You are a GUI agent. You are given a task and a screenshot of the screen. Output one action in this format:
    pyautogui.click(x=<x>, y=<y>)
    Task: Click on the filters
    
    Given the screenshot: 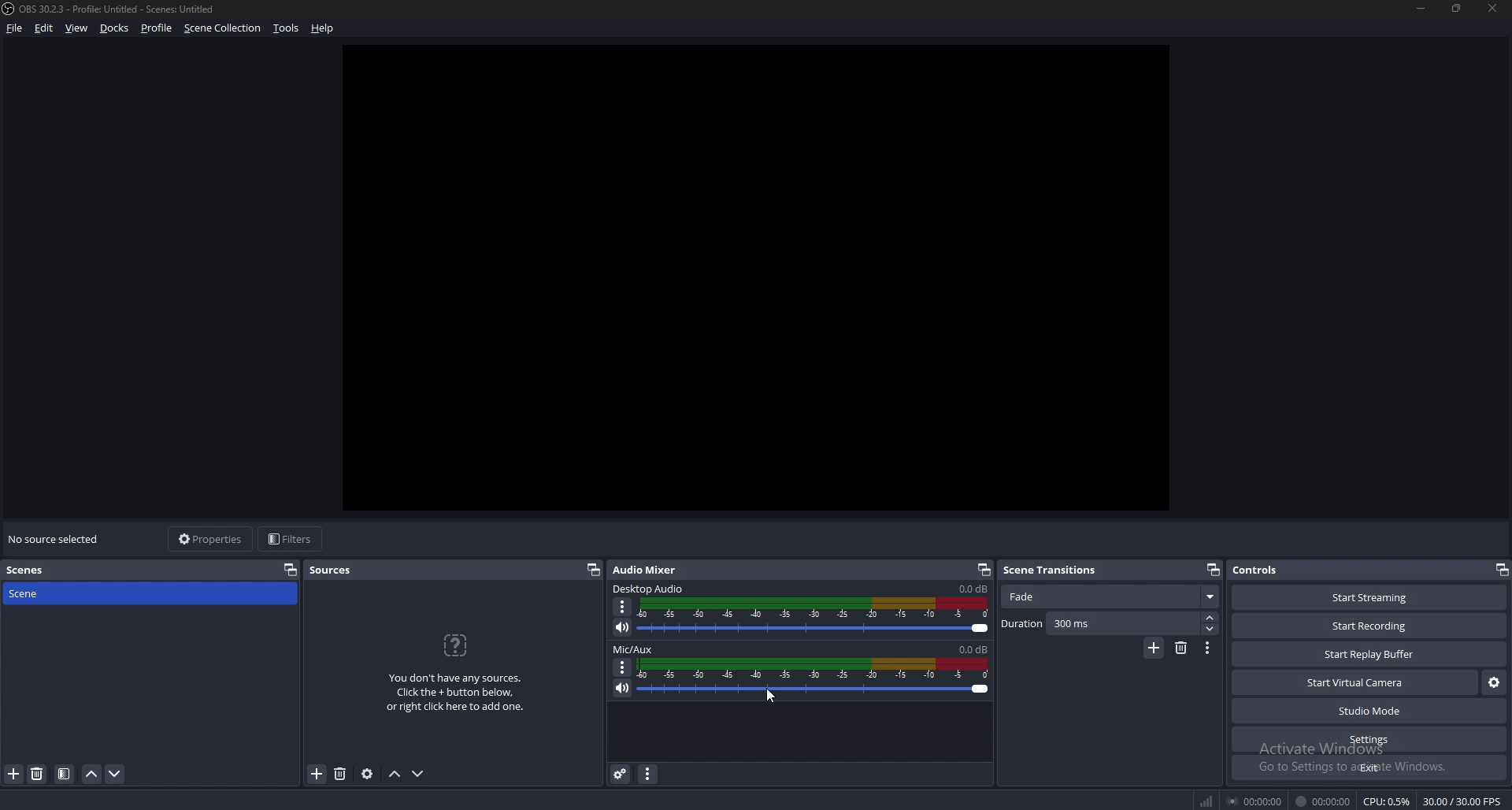 What is the action you would take?
    pyautogui.click(x=292, y=540)
    